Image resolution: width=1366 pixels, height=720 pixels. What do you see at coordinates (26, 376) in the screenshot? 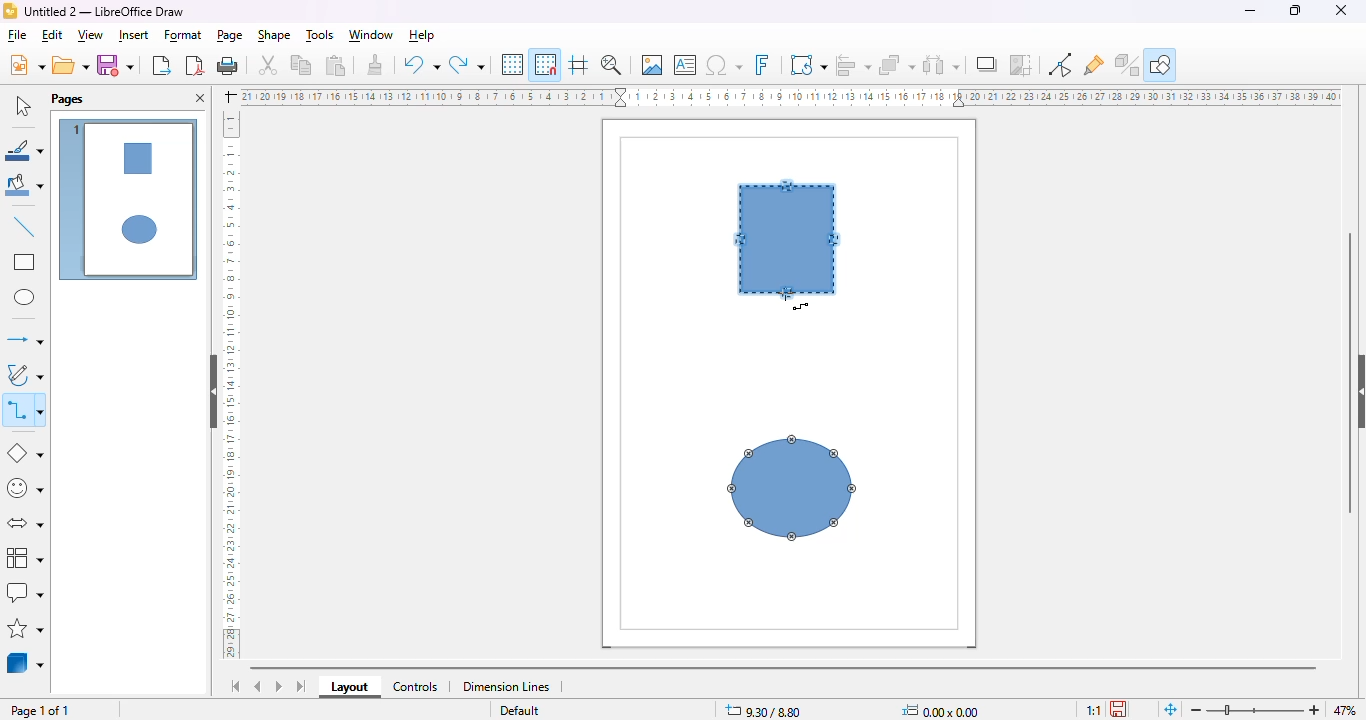
I see `curves and polygons` at bounding box center [26, 376].